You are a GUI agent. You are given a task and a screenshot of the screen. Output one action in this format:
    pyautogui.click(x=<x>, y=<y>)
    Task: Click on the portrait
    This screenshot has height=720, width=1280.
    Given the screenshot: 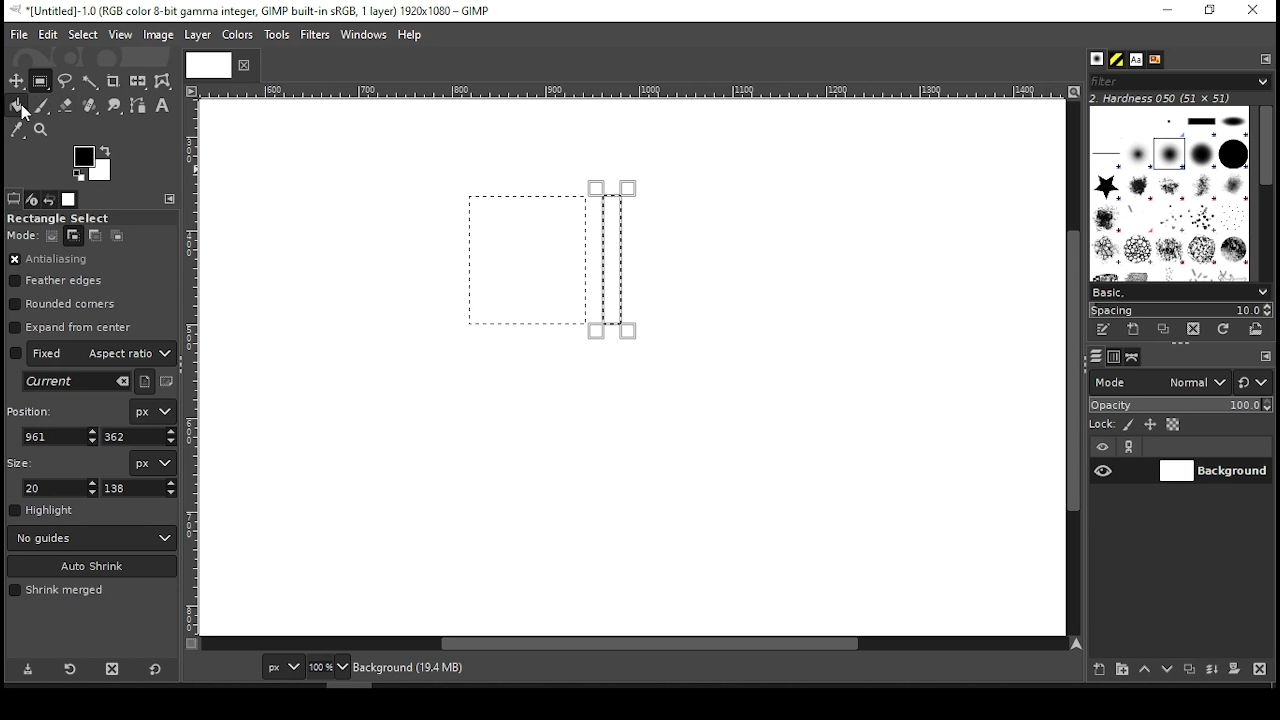 What is the action you would take?
    pyautogui.click(x=146, y=381)
    